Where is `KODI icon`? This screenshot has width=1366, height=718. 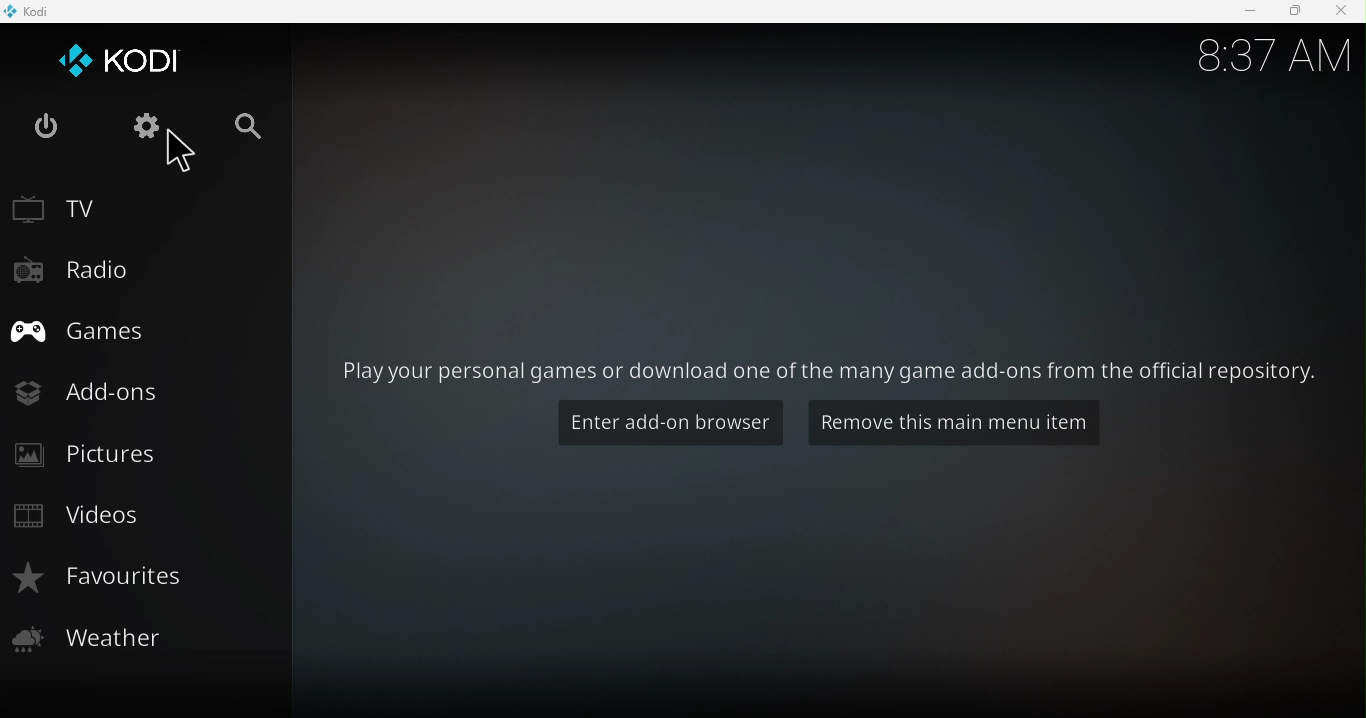 KODI icon is located at coordinates (138, 59).